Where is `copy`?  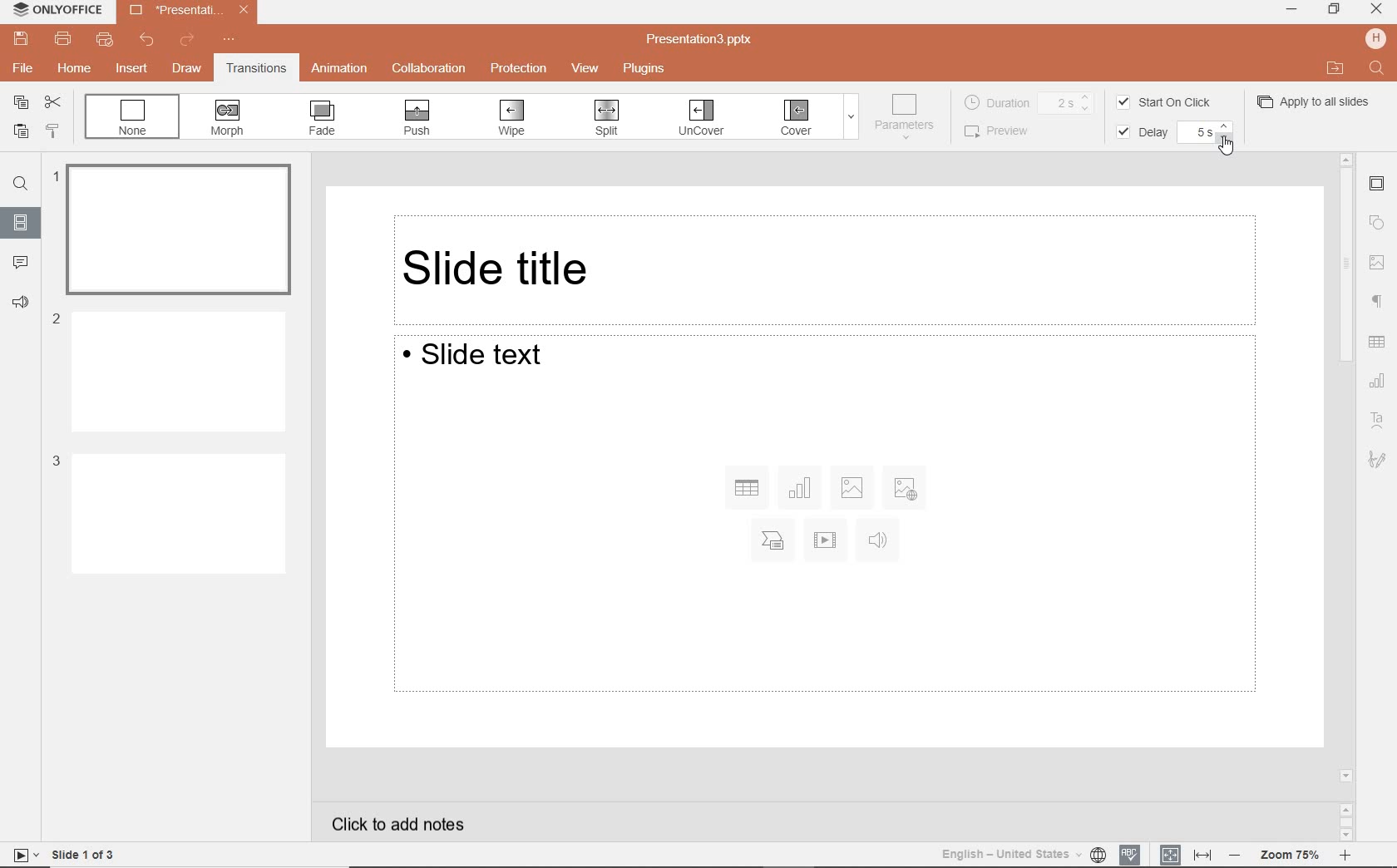 copy is located at coordinates (17, 104).